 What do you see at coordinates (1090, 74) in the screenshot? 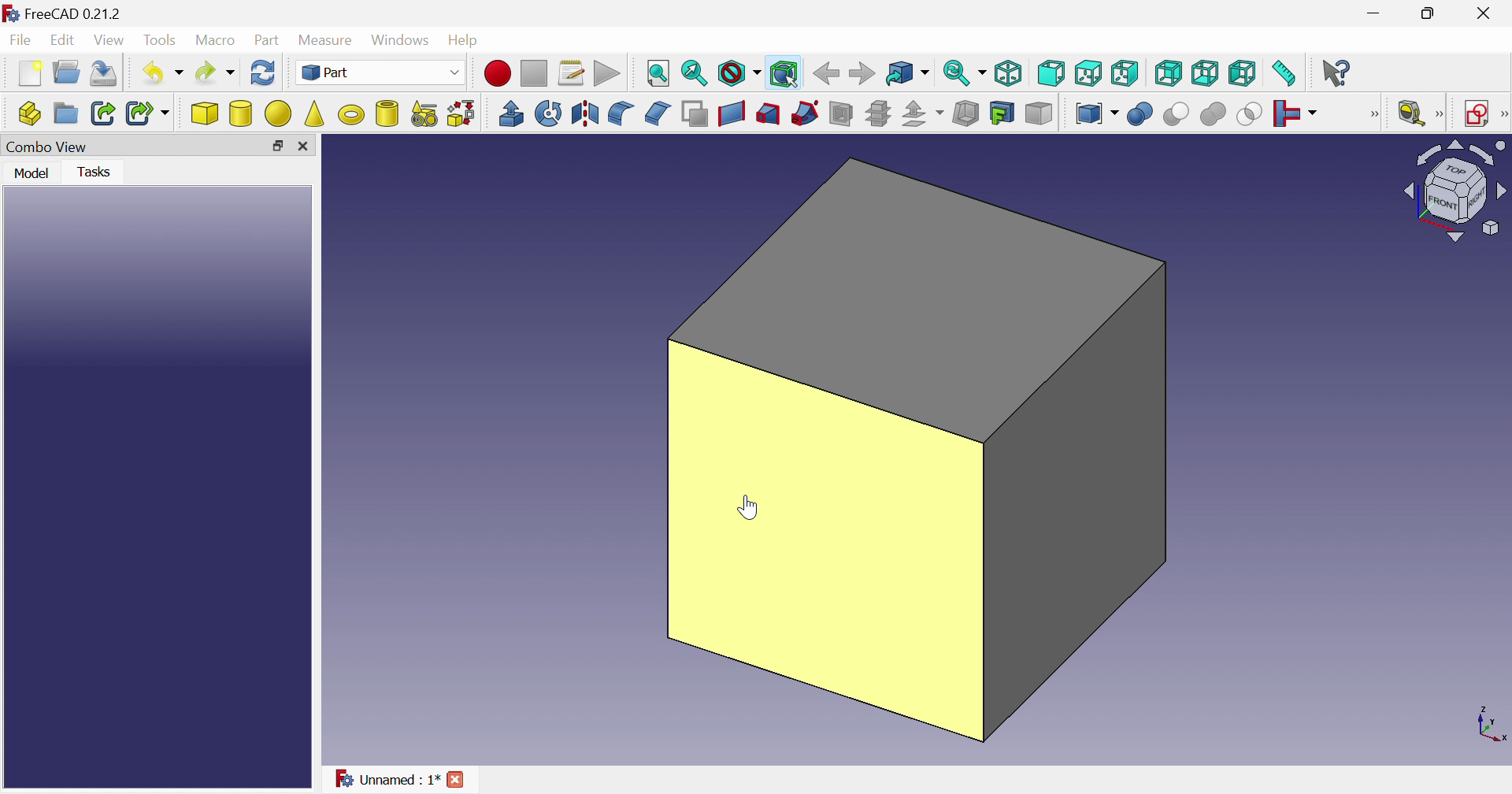
I see `Top` at bounding box center [1090, 74].